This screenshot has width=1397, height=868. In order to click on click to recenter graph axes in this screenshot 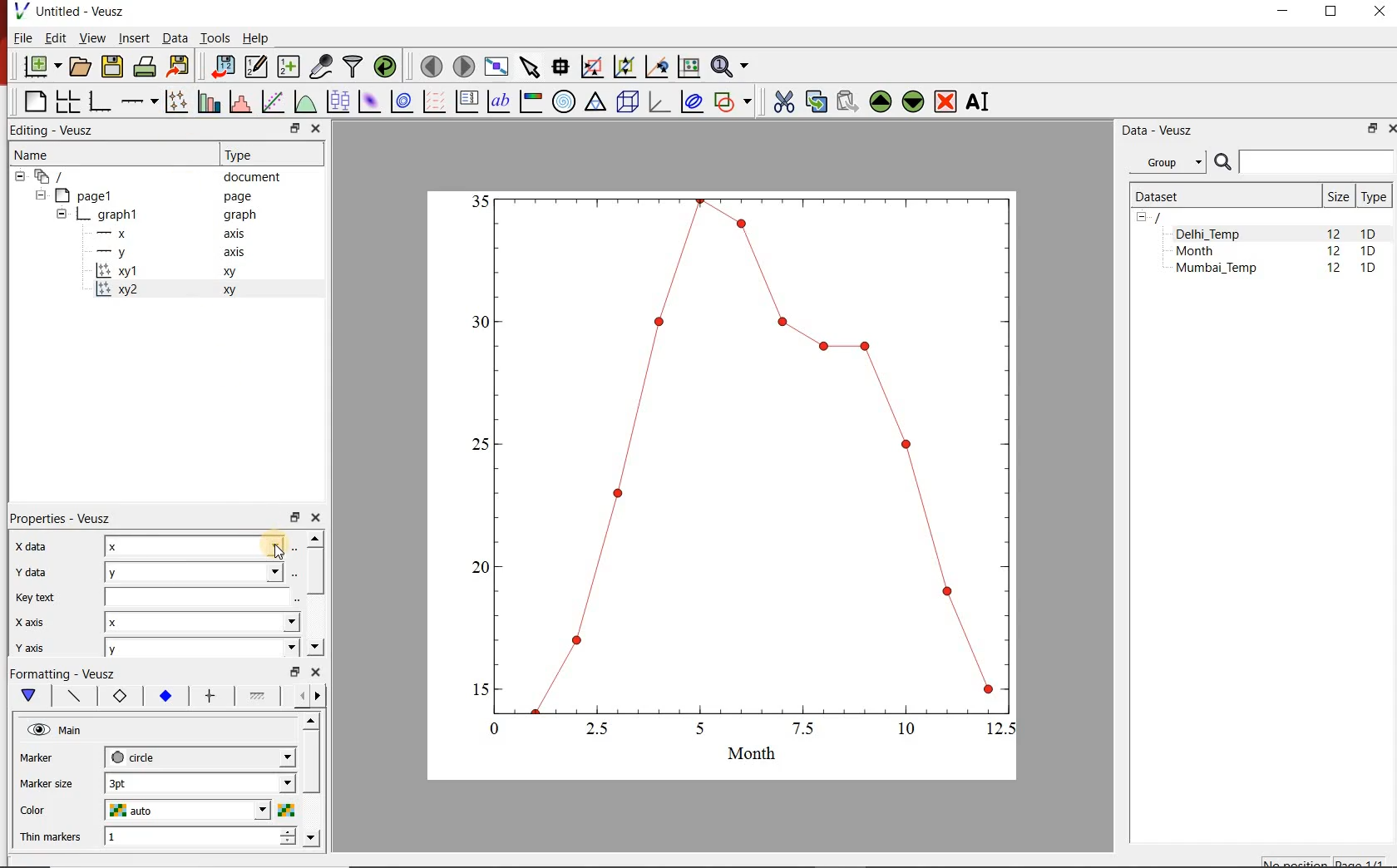, I will do `click(656, 67)`.